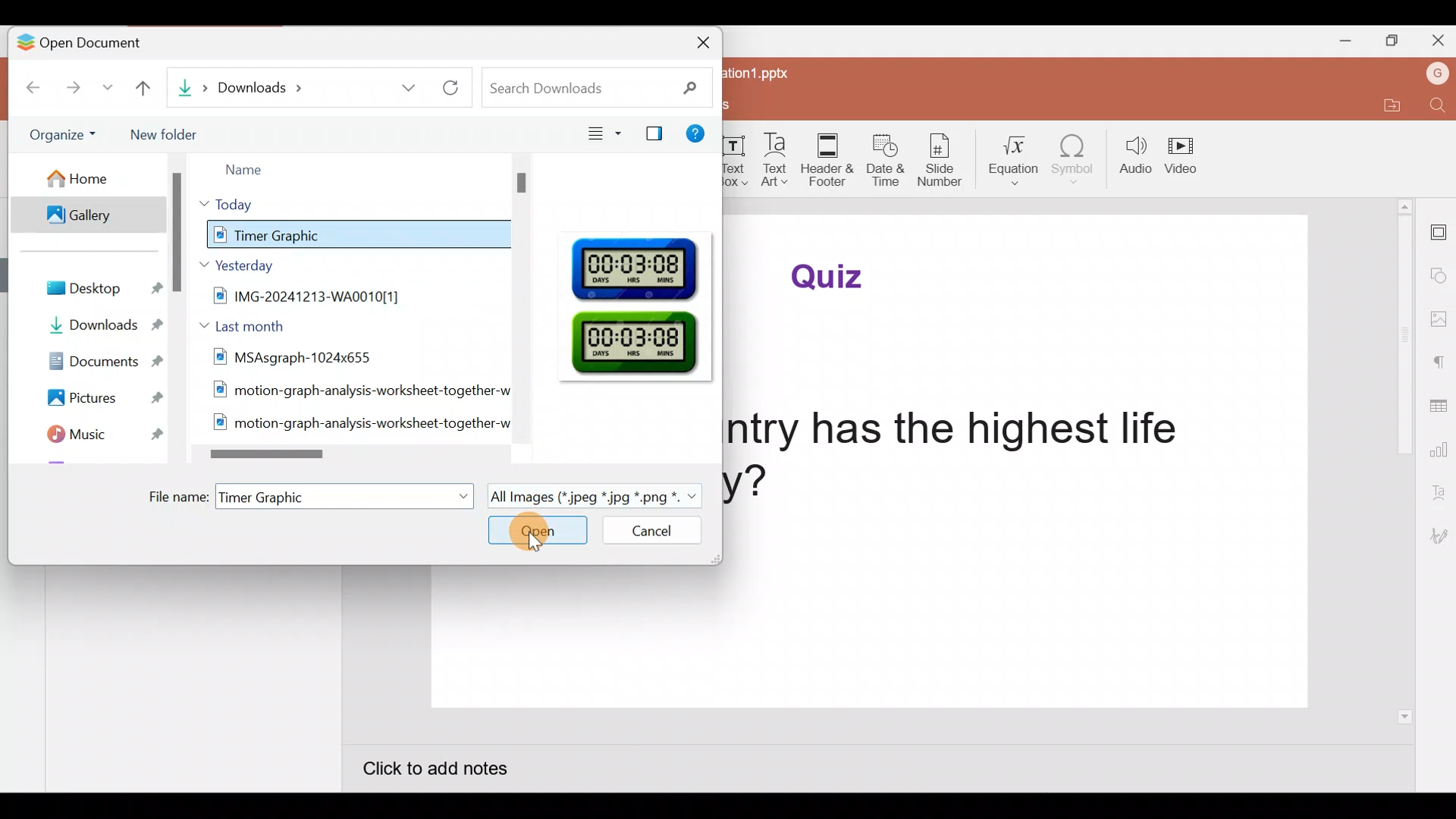 The image size is (1456, 819). I want to click on MSAsqgraph-1024x655, so click(345, 356).